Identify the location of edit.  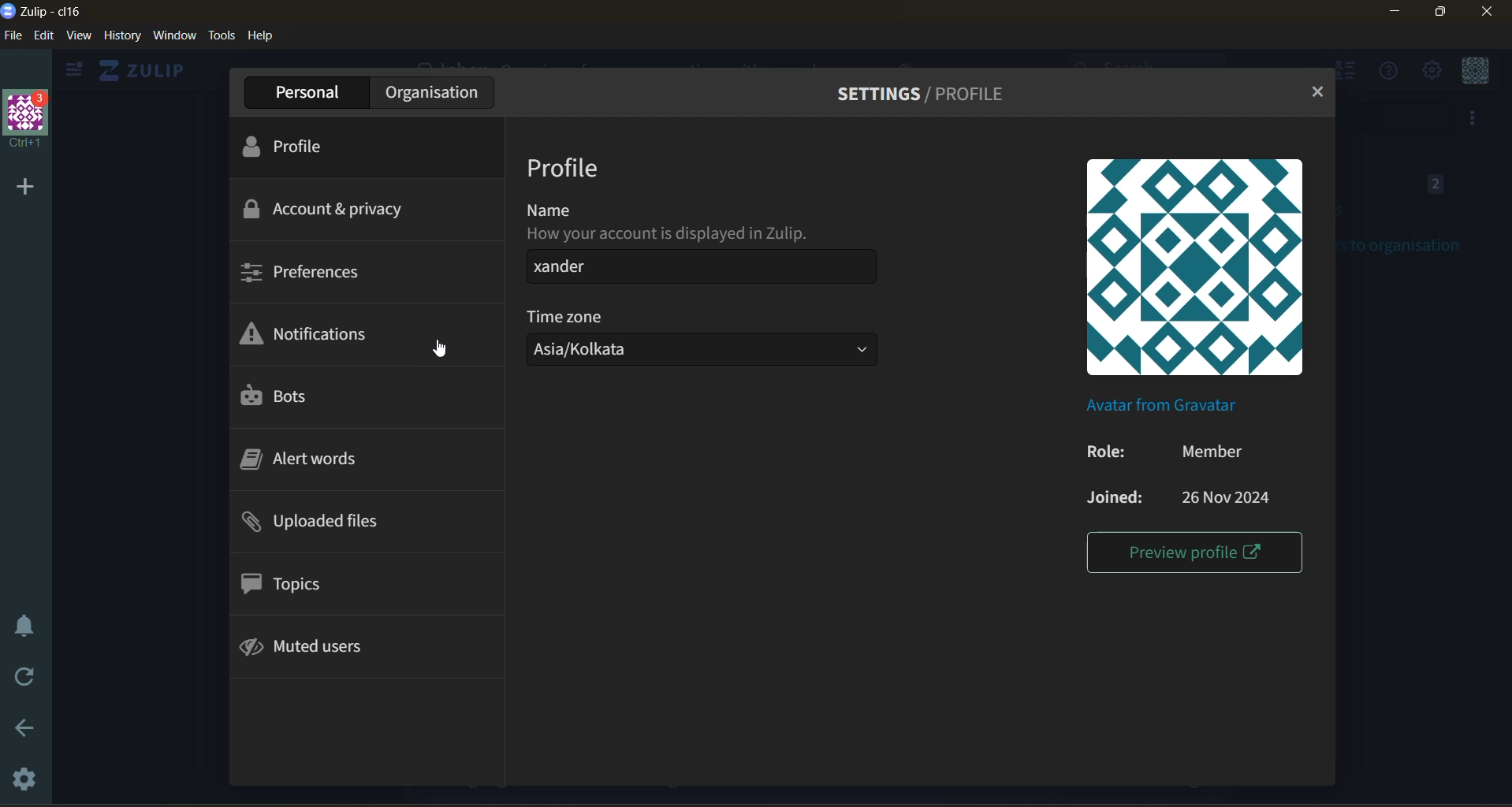
(42, 35).